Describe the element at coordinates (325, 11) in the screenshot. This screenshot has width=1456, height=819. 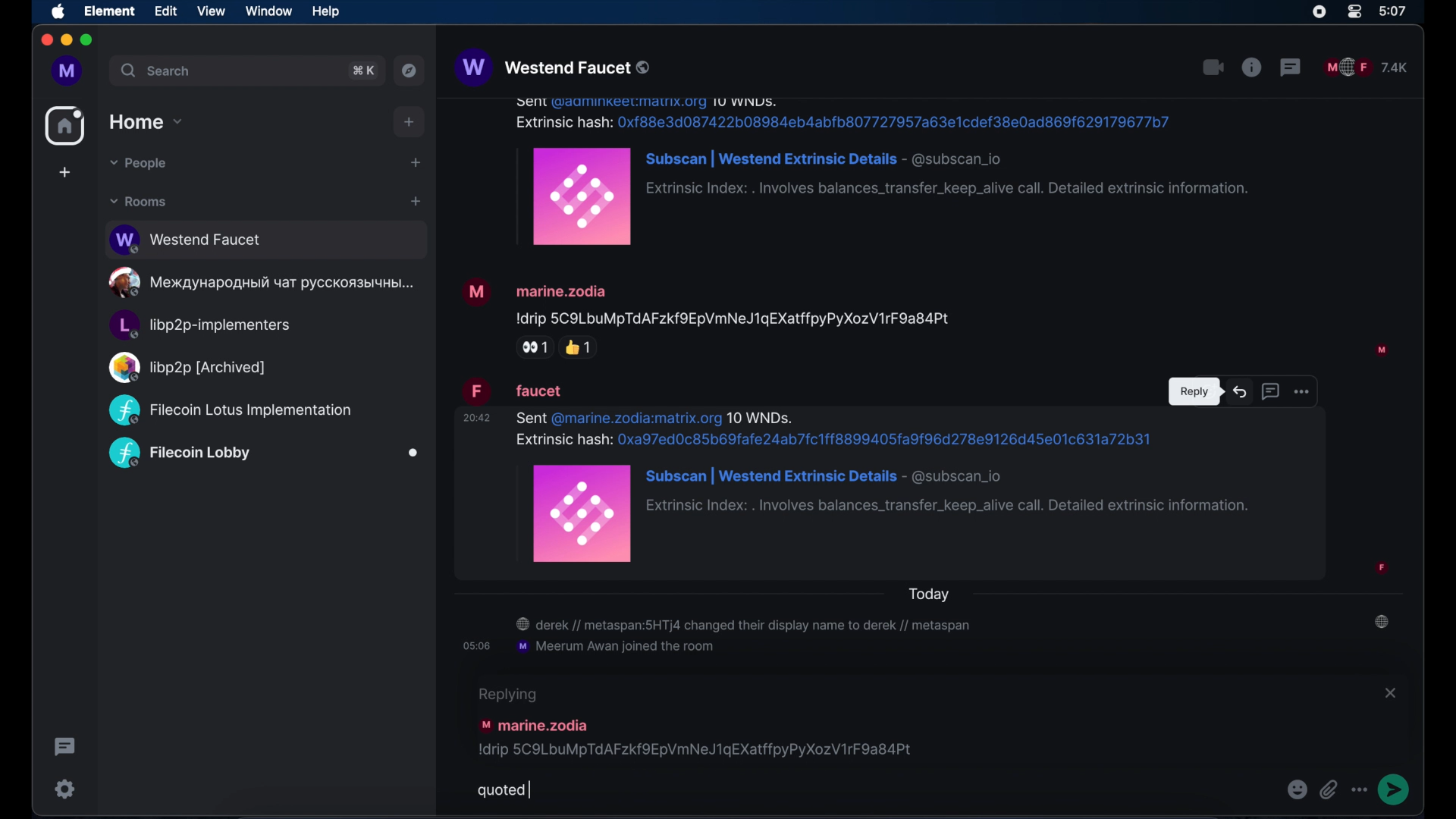
I see `help` at that location.